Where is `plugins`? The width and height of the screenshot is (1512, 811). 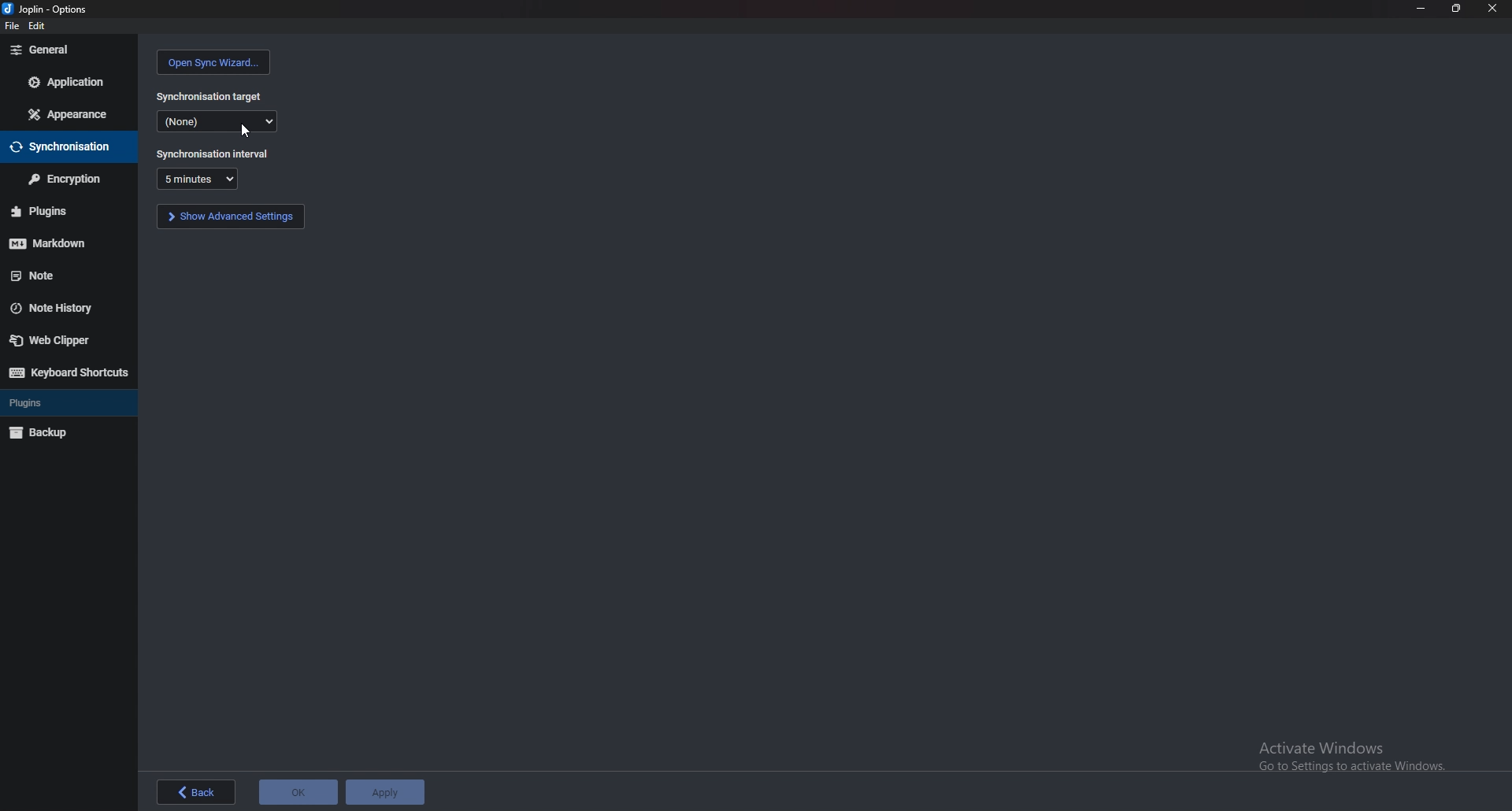 plugins is located at coordinates (59, 210).